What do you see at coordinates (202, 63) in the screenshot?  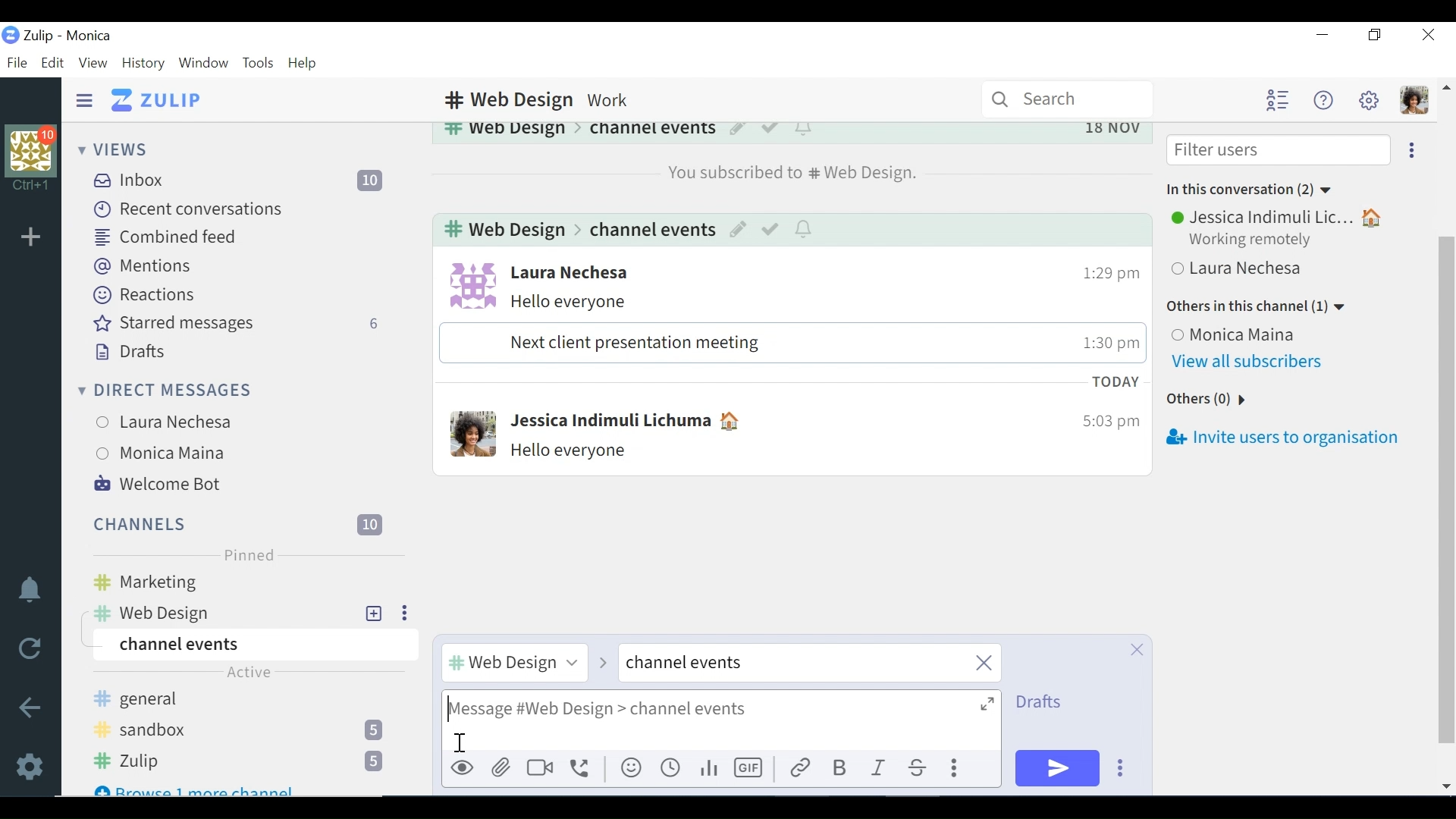 I see `Window` at bounding box center [202, 63].